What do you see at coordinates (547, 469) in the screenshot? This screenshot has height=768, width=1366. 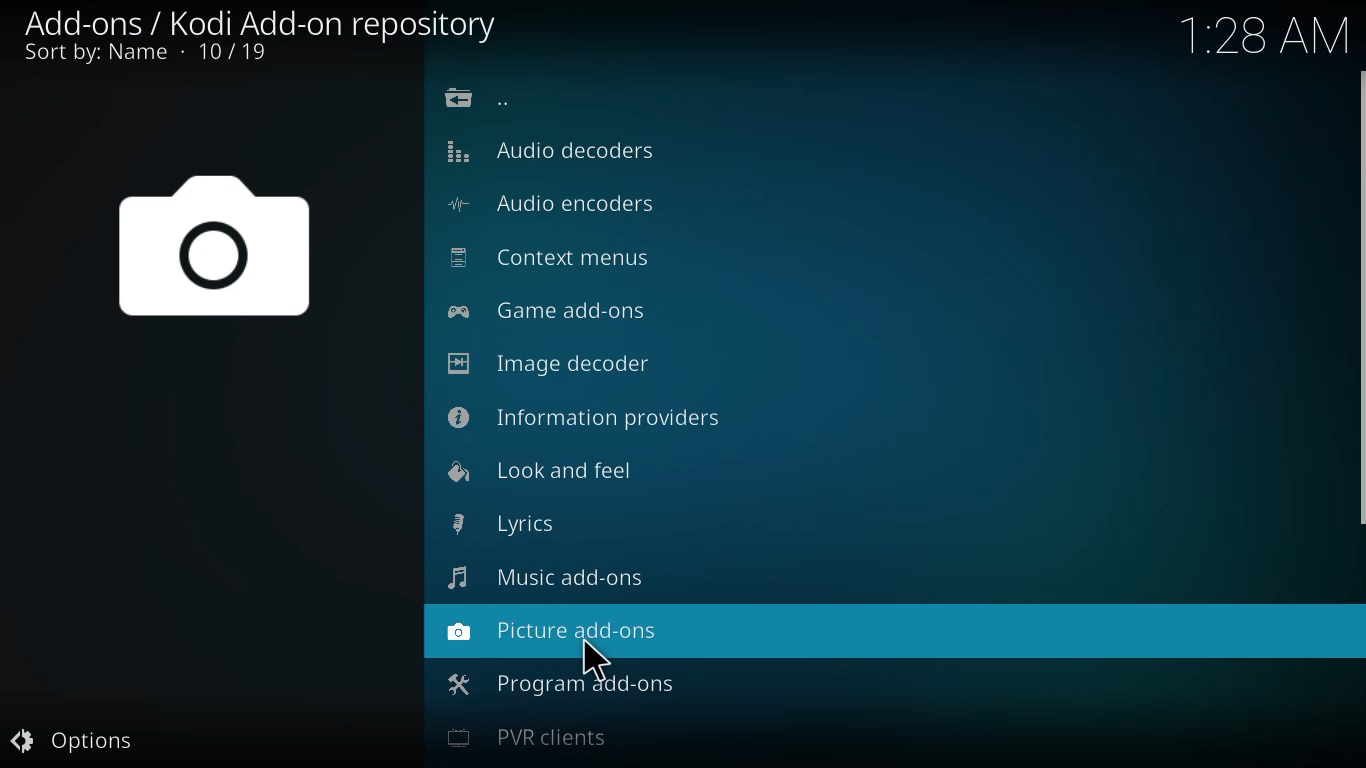 I see `look and feel` at bounding box center [547, 469].